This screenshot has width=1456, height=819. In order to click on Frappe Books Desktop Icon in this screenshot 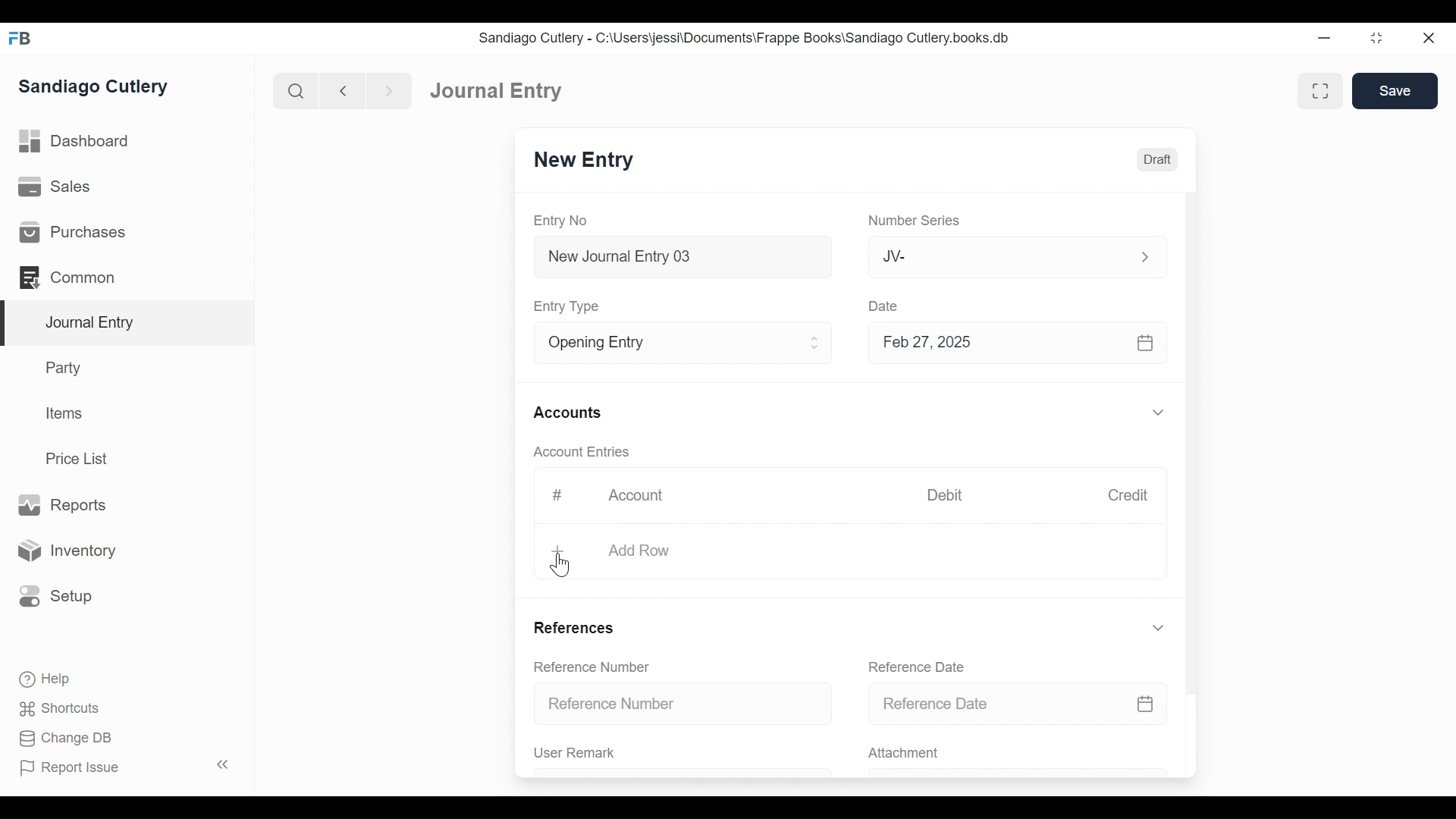, I will do `click(20, 39)`.